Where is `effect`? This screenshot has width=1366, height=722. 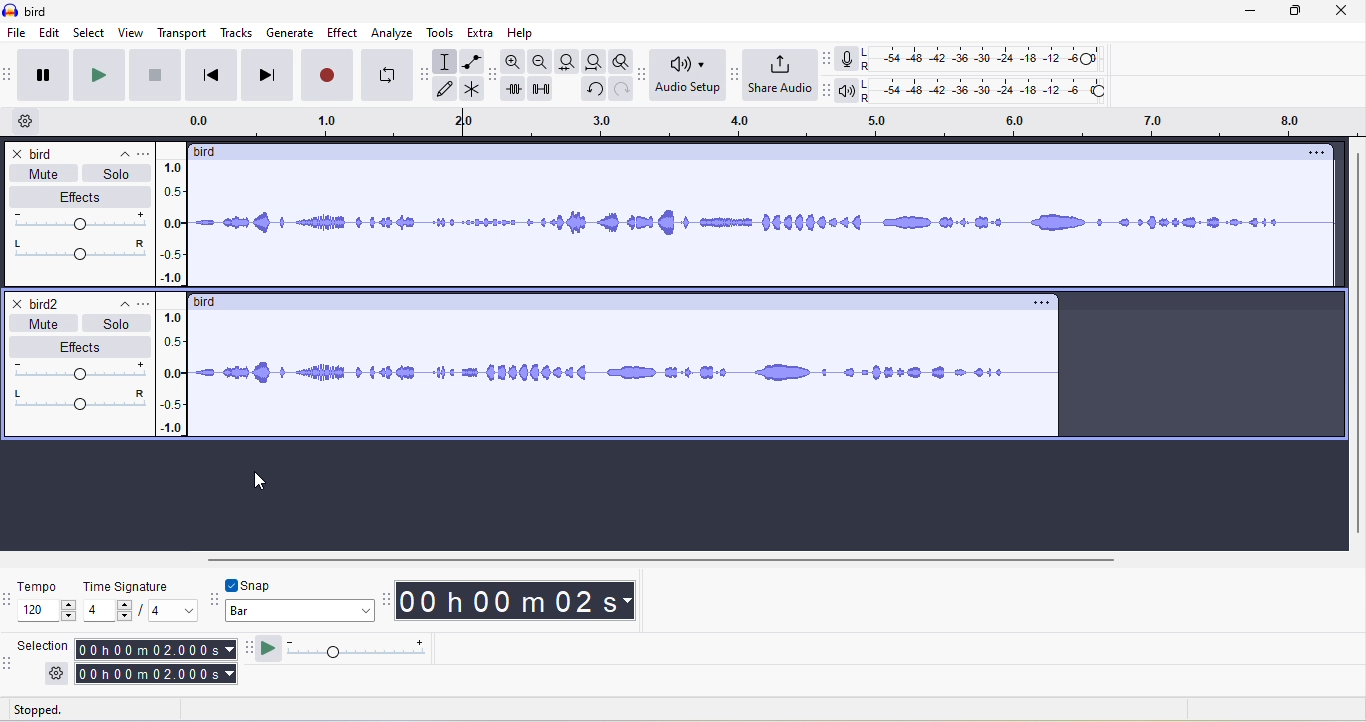
effect is located at coordinates (340, 32).